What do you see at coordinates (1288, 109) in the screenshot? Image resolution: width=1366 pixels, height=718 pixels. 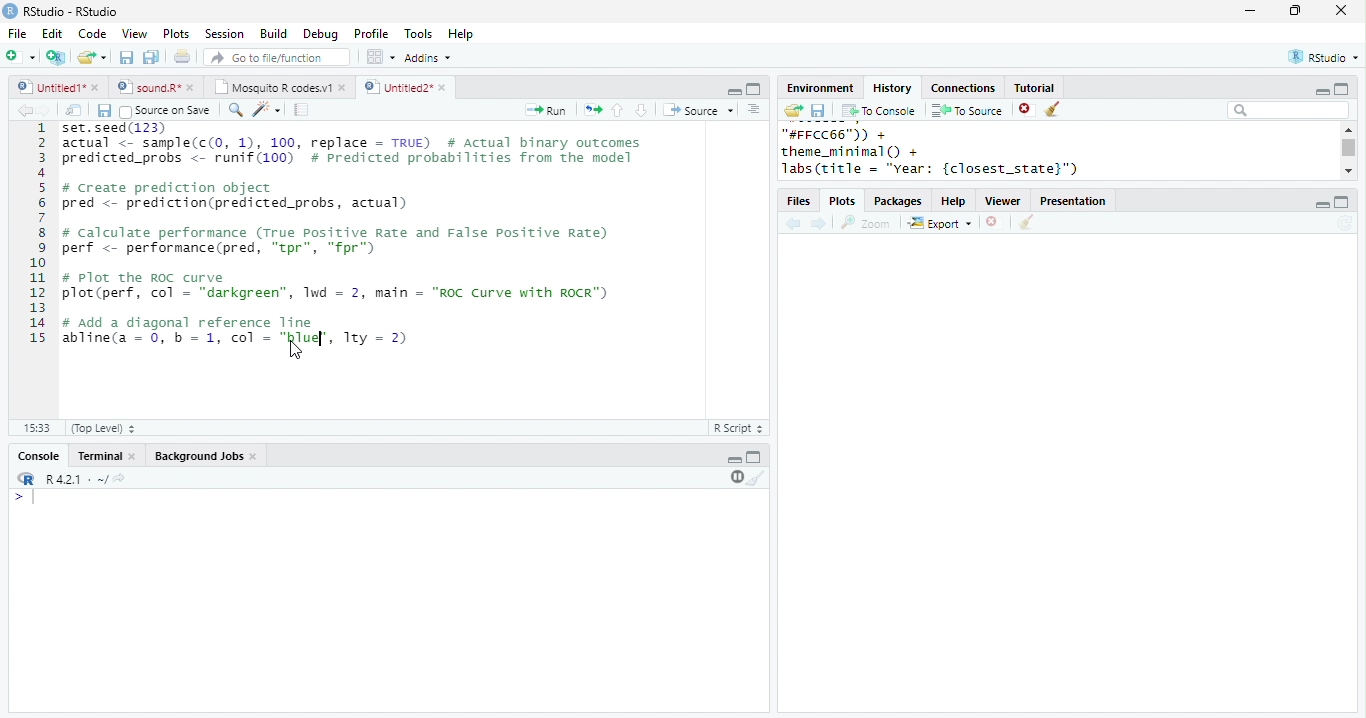 I see `search bar` at bounding box center [1288, 109].